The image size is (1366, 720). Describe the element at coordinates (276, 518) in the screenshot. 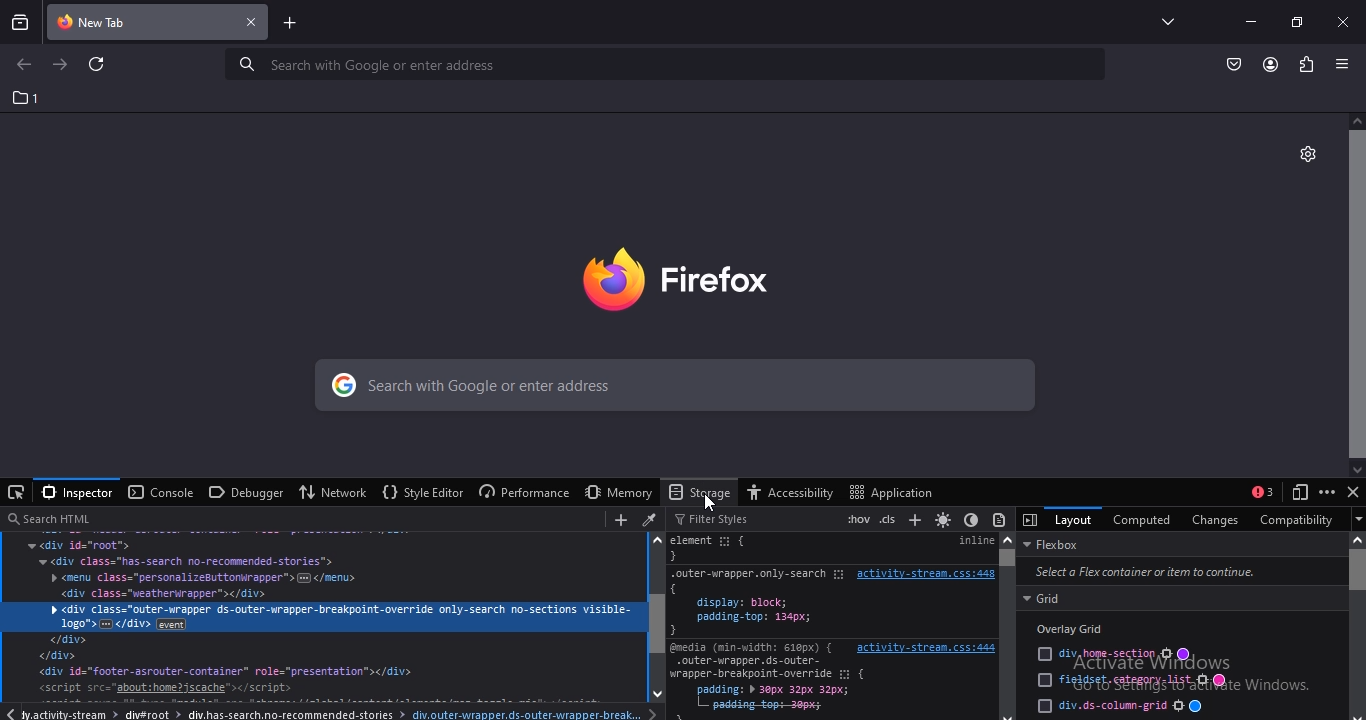

I see `search` at that location.